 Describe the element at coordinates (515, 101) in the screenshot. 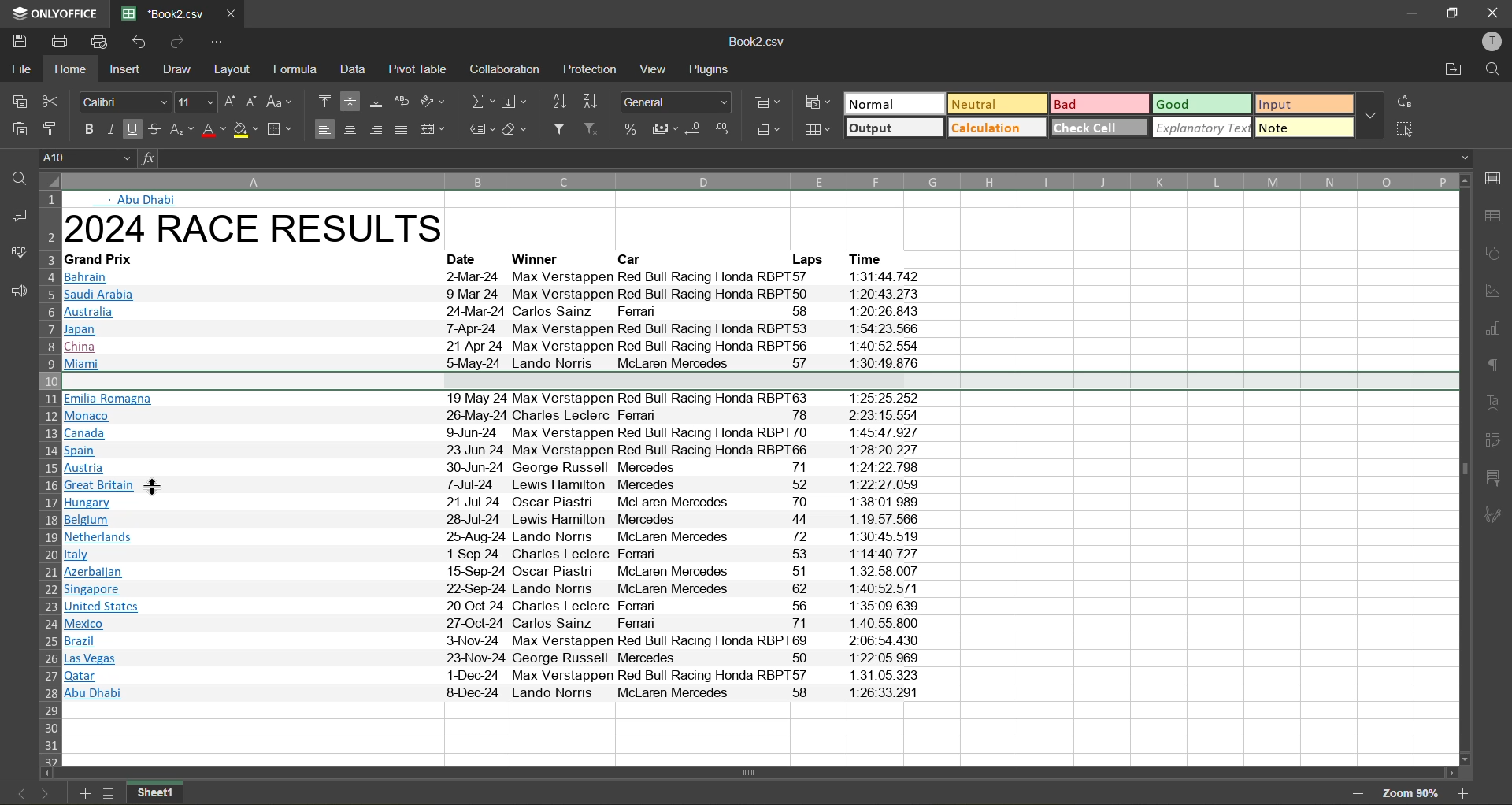

I see `field` at that location.